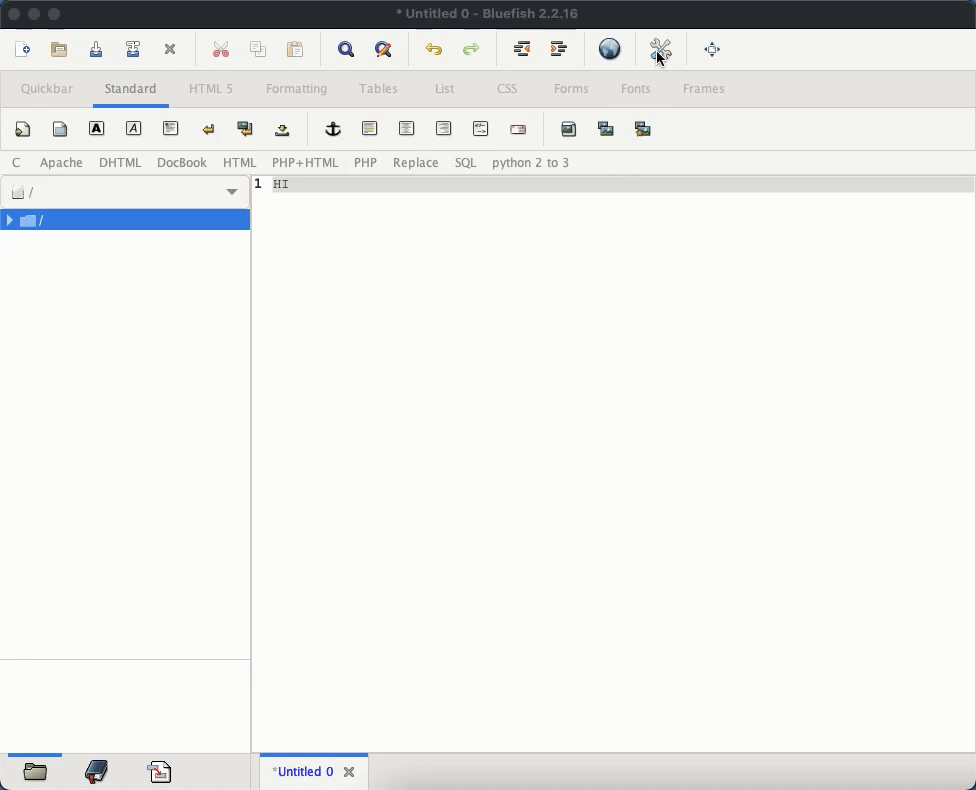 Image resolution: width=976 pixels, height=790 pixels. I want to click on quickbar, so click(47, 89).